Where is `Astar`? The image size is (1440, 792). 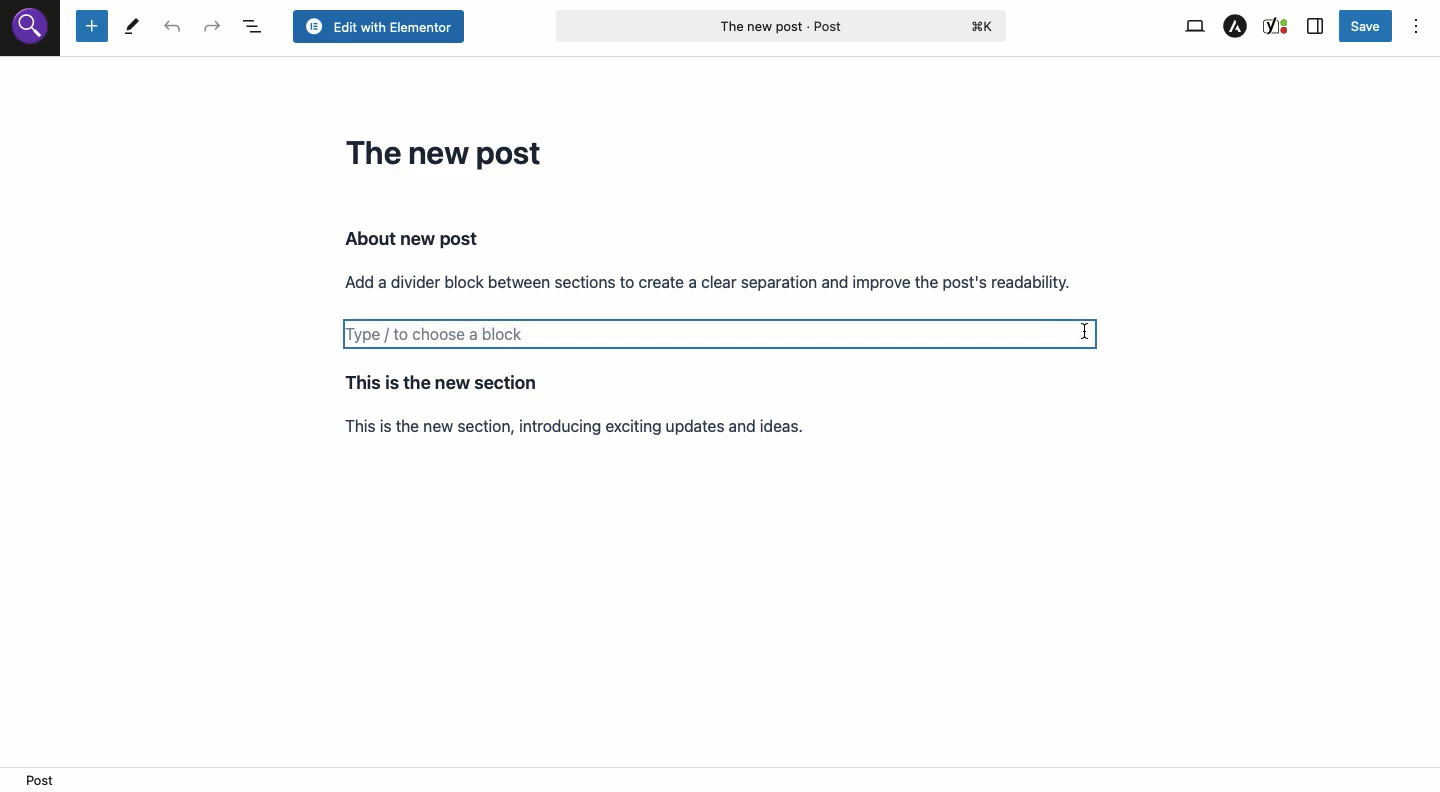 Astar is located at coordinates (1236, 27).